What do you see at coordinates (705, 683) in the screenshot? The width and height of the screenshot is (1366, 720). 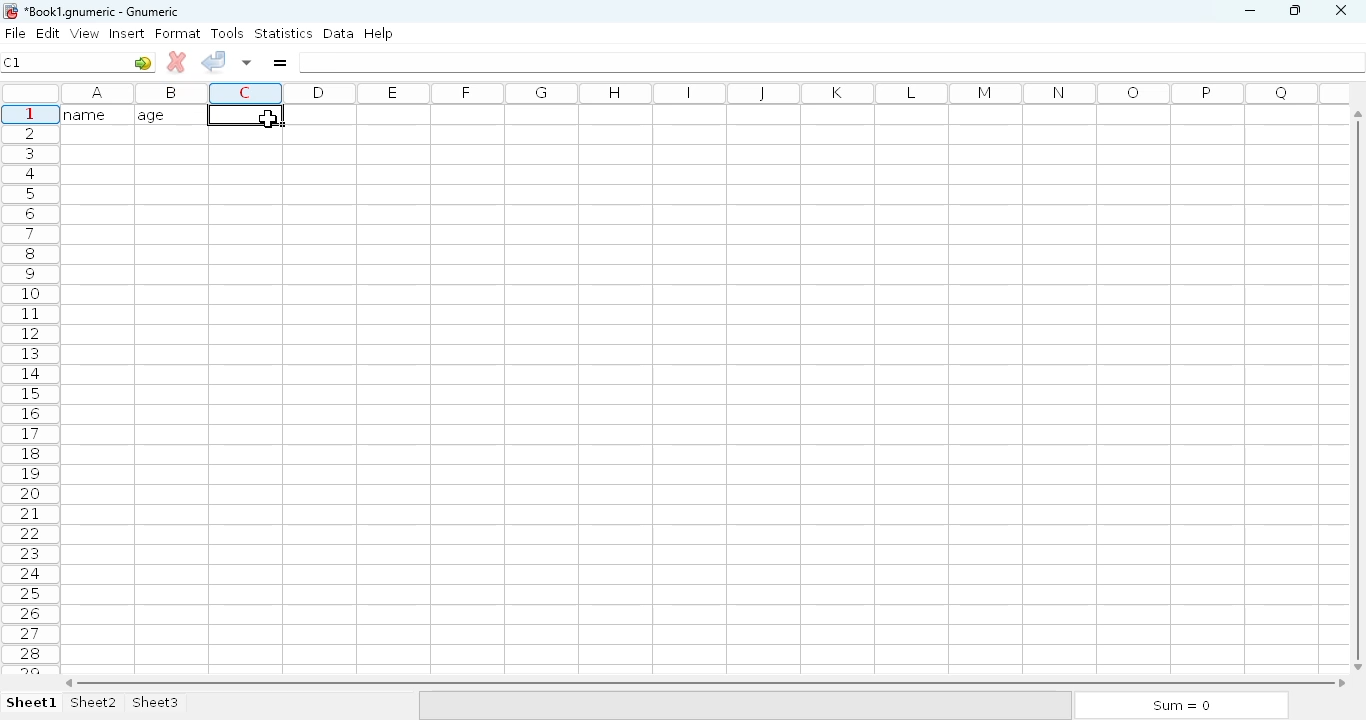 I see `horizontal scroll bar` at bounding box center [705, 683].